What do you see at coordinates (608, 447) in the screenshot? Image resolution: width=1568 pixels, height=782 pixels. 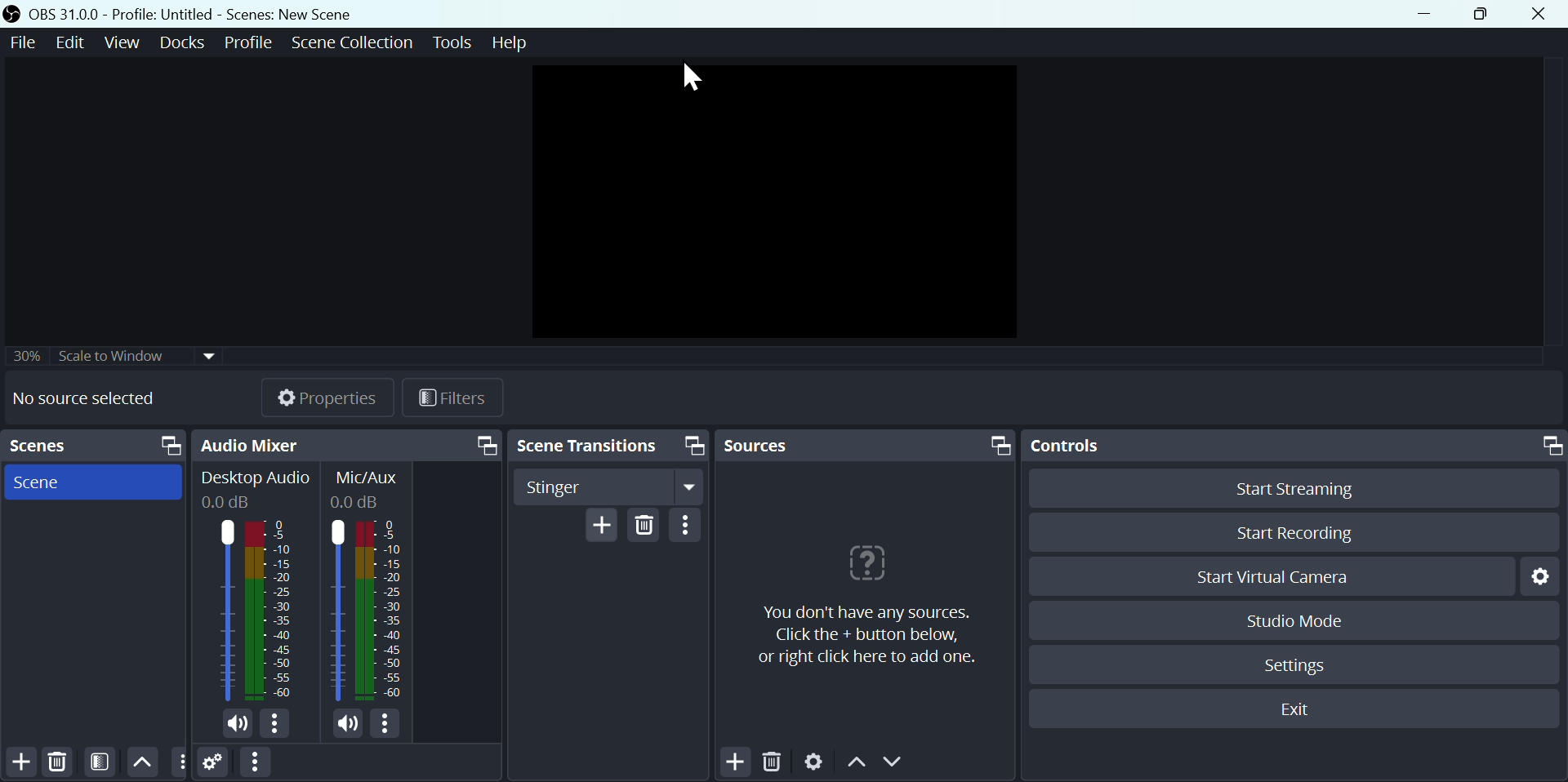 I see `` at bounding box center [608, 447].